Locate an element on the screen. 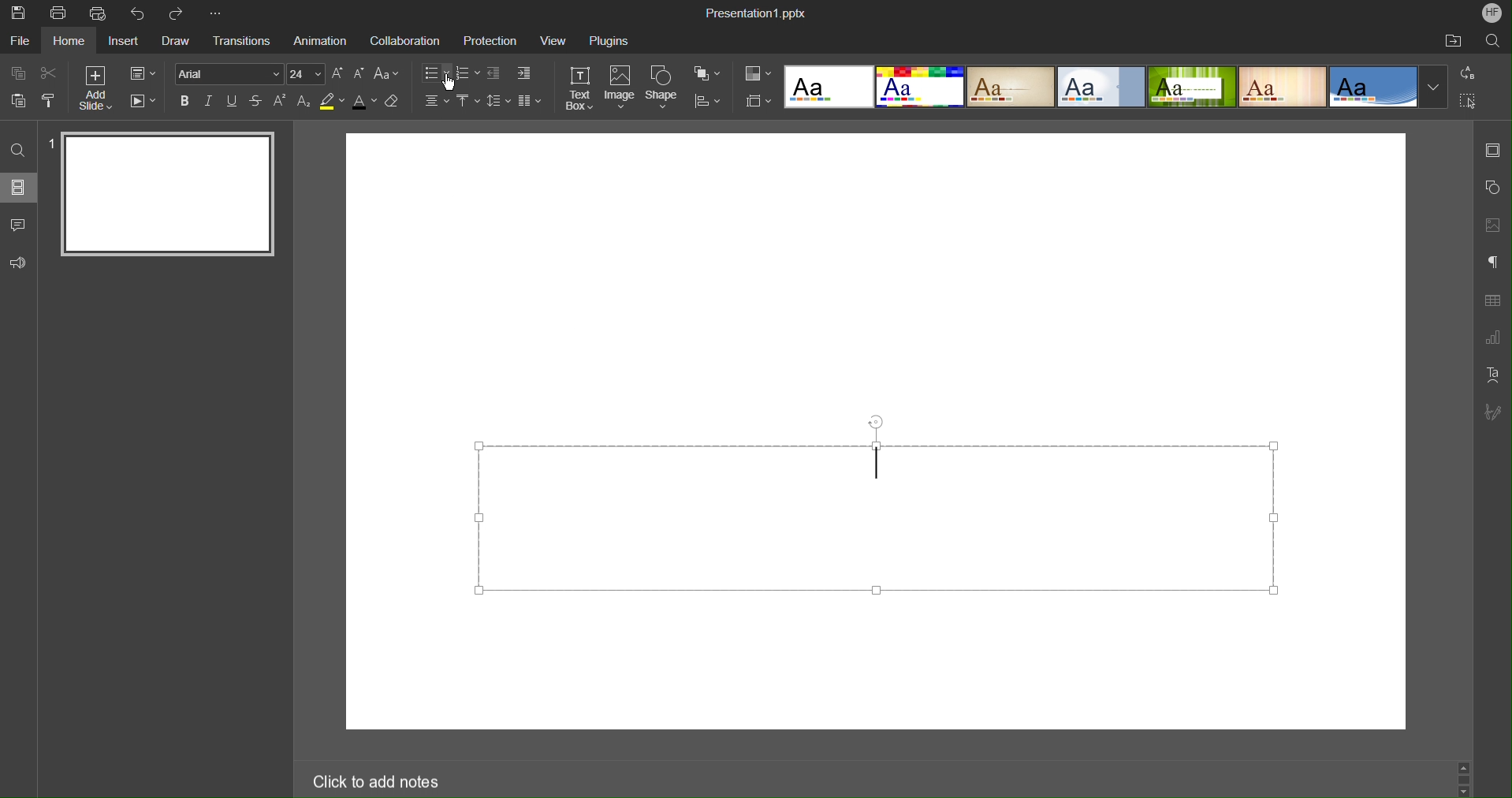 This screenshot has height=798, width=1512. Superscript is located at coordinates (279, 101).